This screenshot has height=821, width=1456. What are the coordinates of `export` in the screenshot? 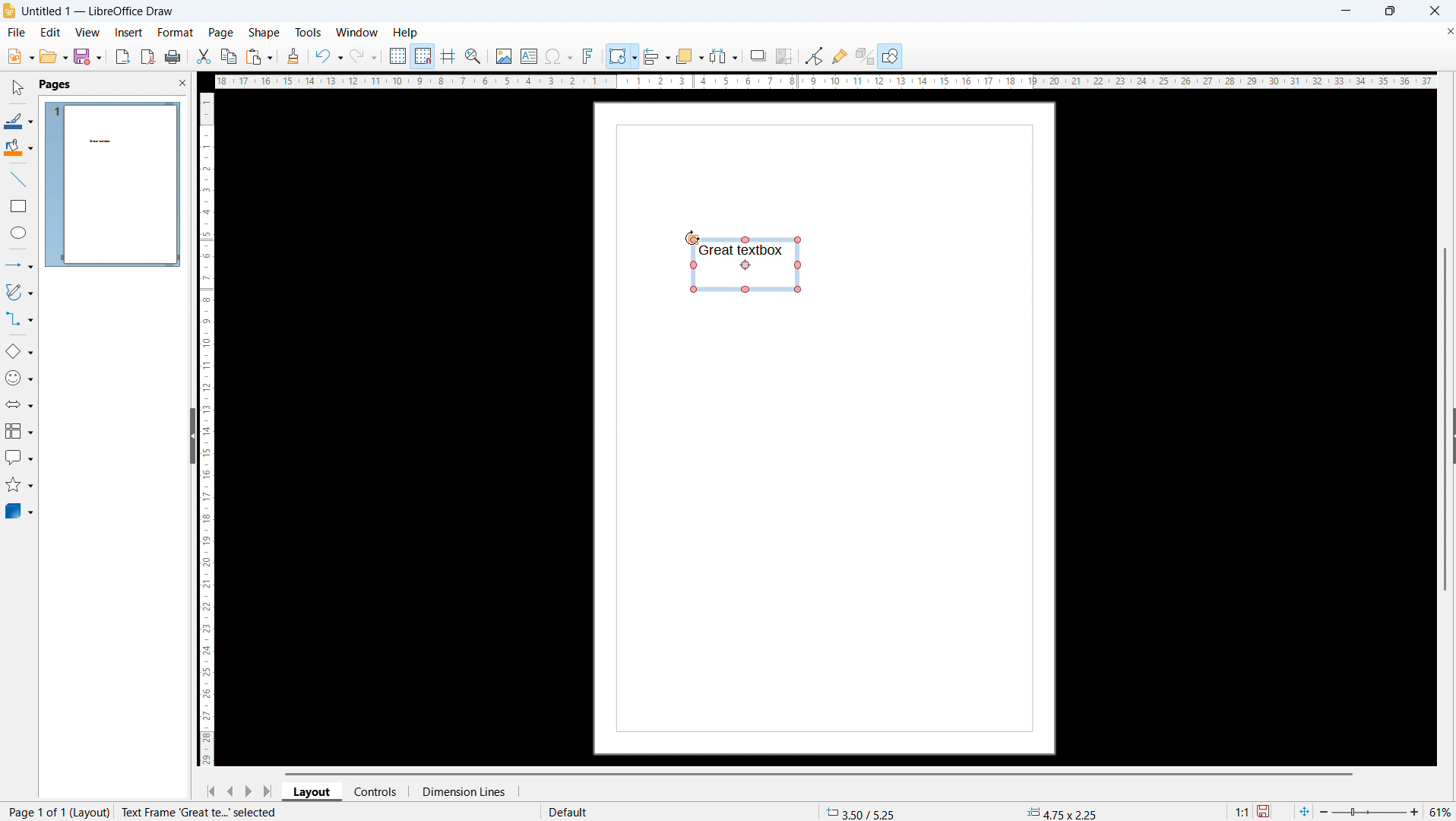 It's located at (123, 56).